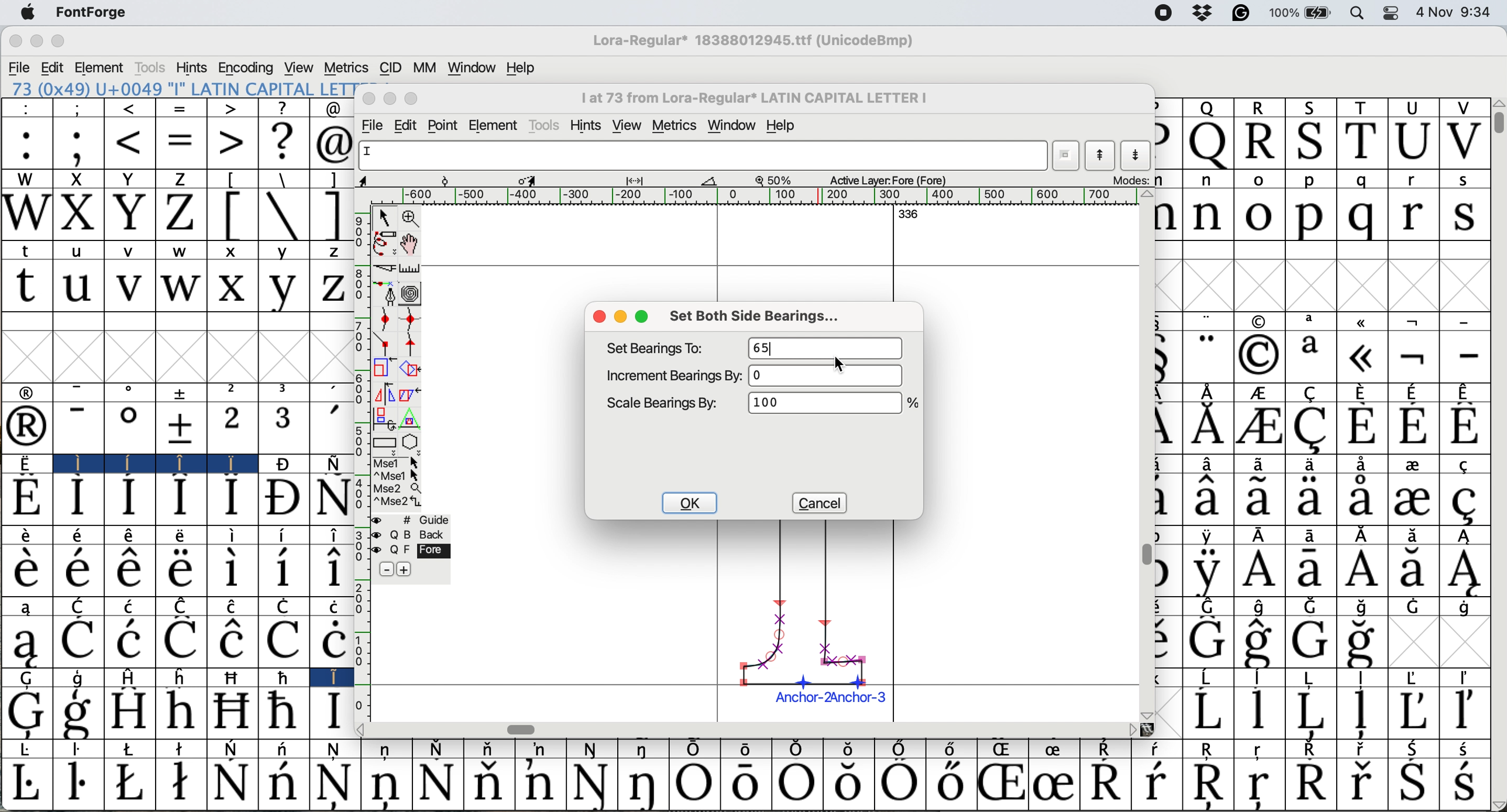 The height and width of the screenshot is (812, 1507). I want to click on Symbol, so click(80, 713).